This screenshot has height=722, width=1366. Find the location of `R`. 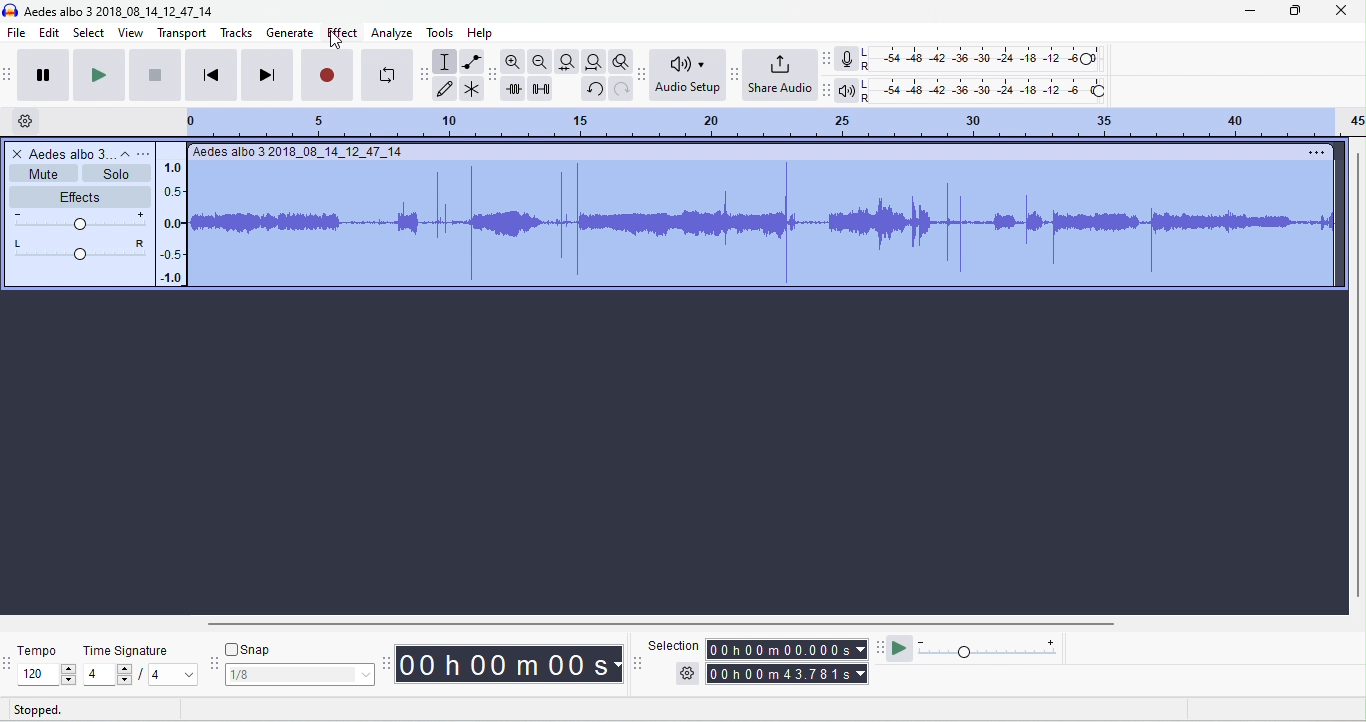

R is located at coordinates (867, 98).